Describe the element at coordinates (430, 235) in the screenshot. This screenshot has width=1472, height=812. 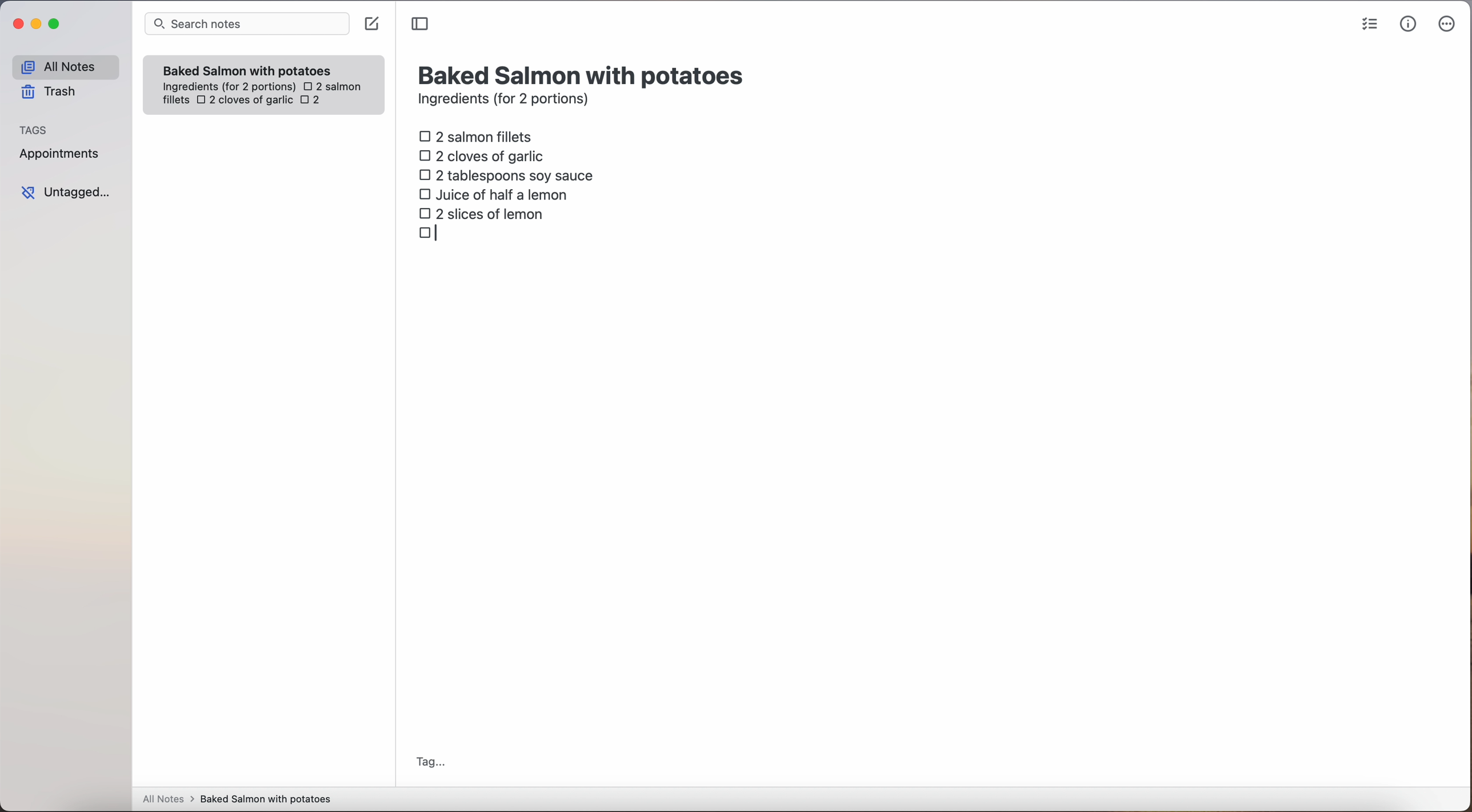
I see `checkbox` at that location.